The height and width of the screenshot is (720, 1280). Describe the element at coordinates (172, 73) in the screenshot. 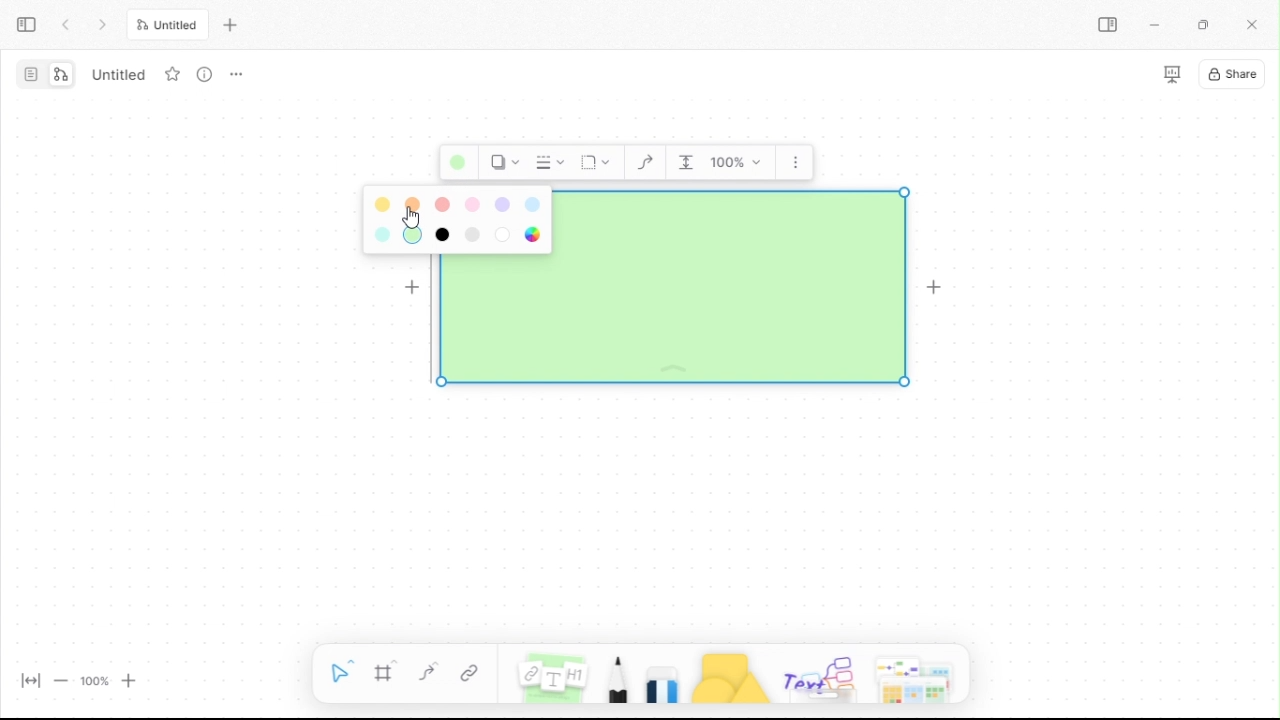

I see `favourite` at that location.